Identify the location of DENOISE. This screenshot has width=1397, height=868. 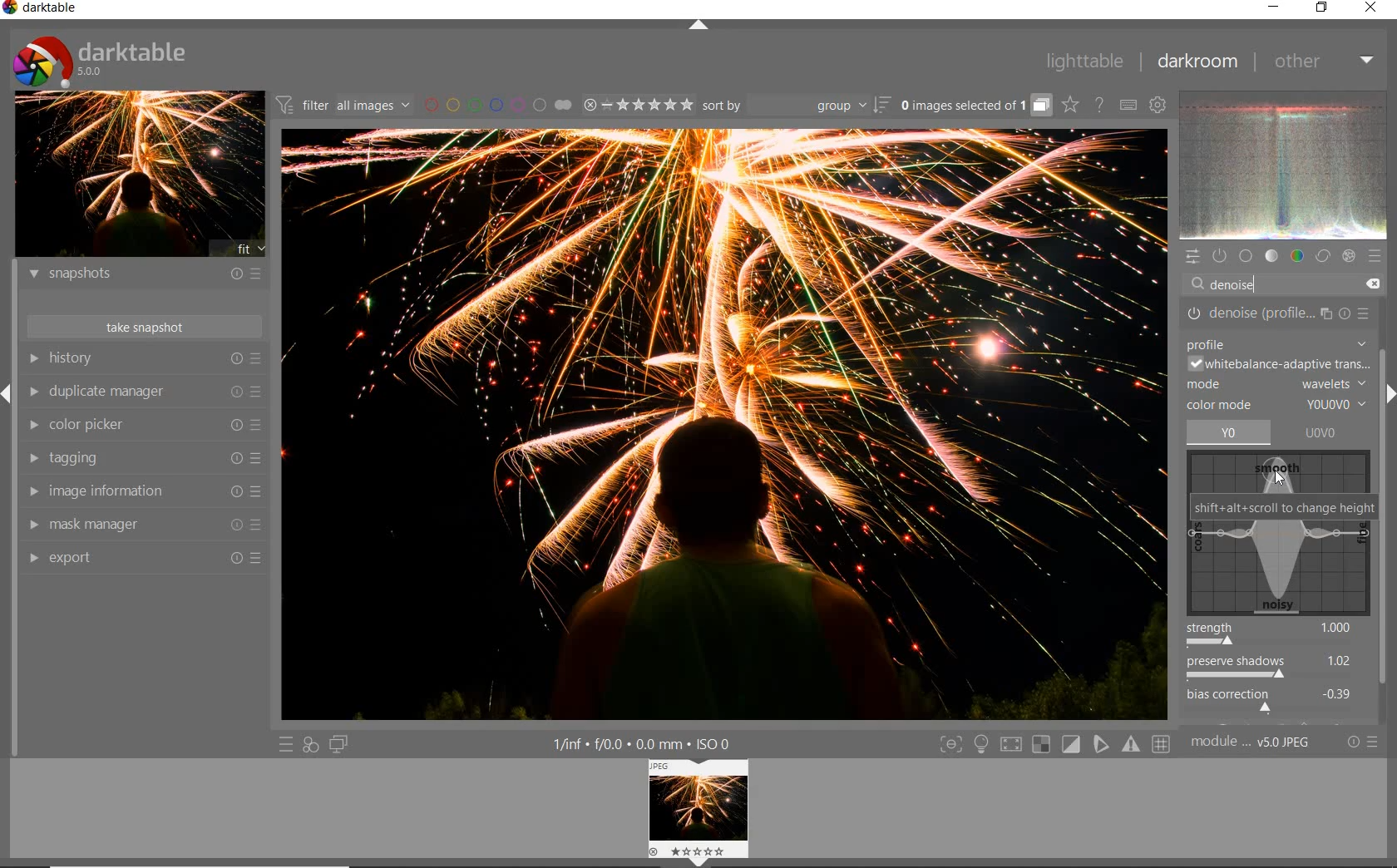
(1259, 285).